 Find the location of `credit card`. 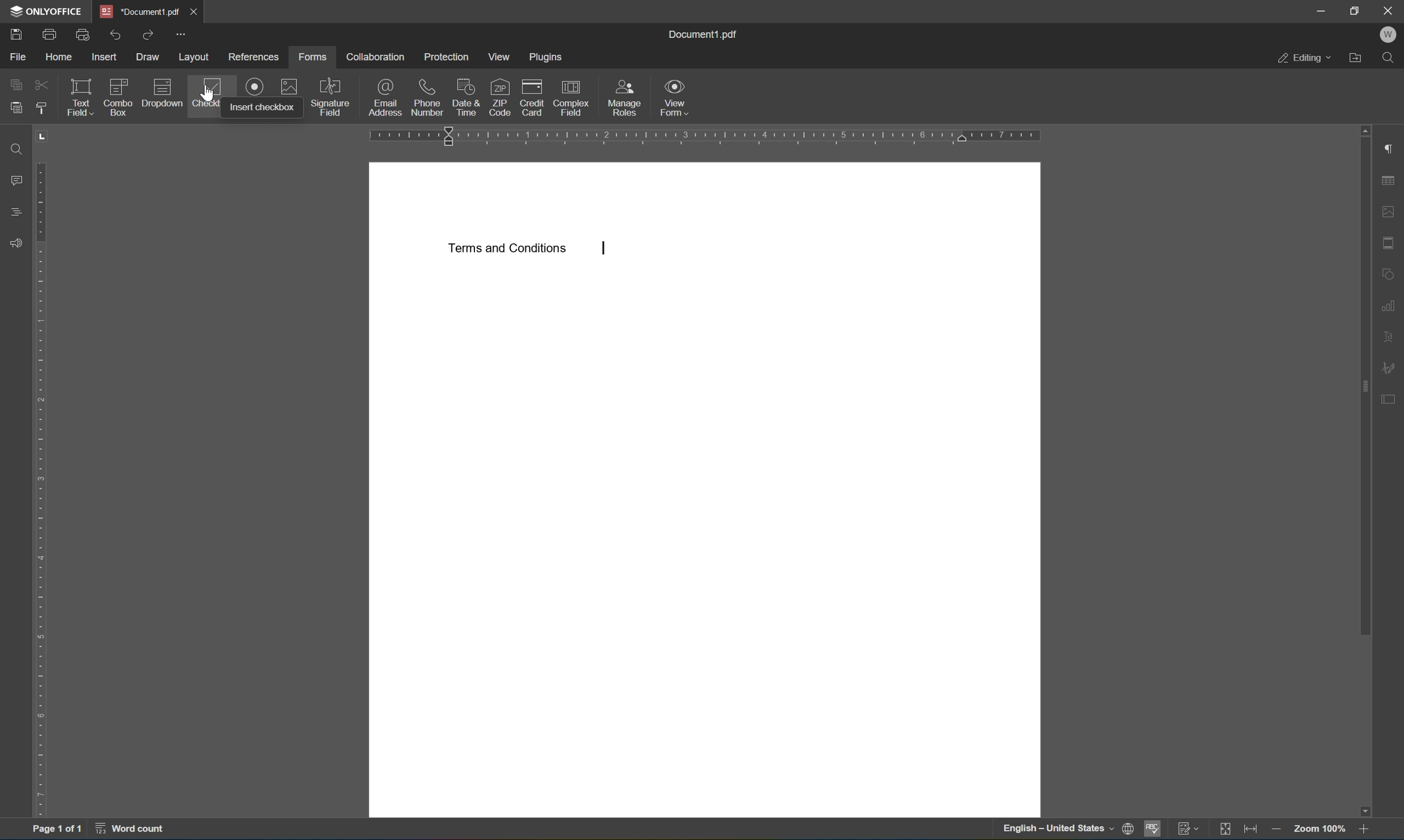

credit card is located at coordinates (529, 96).